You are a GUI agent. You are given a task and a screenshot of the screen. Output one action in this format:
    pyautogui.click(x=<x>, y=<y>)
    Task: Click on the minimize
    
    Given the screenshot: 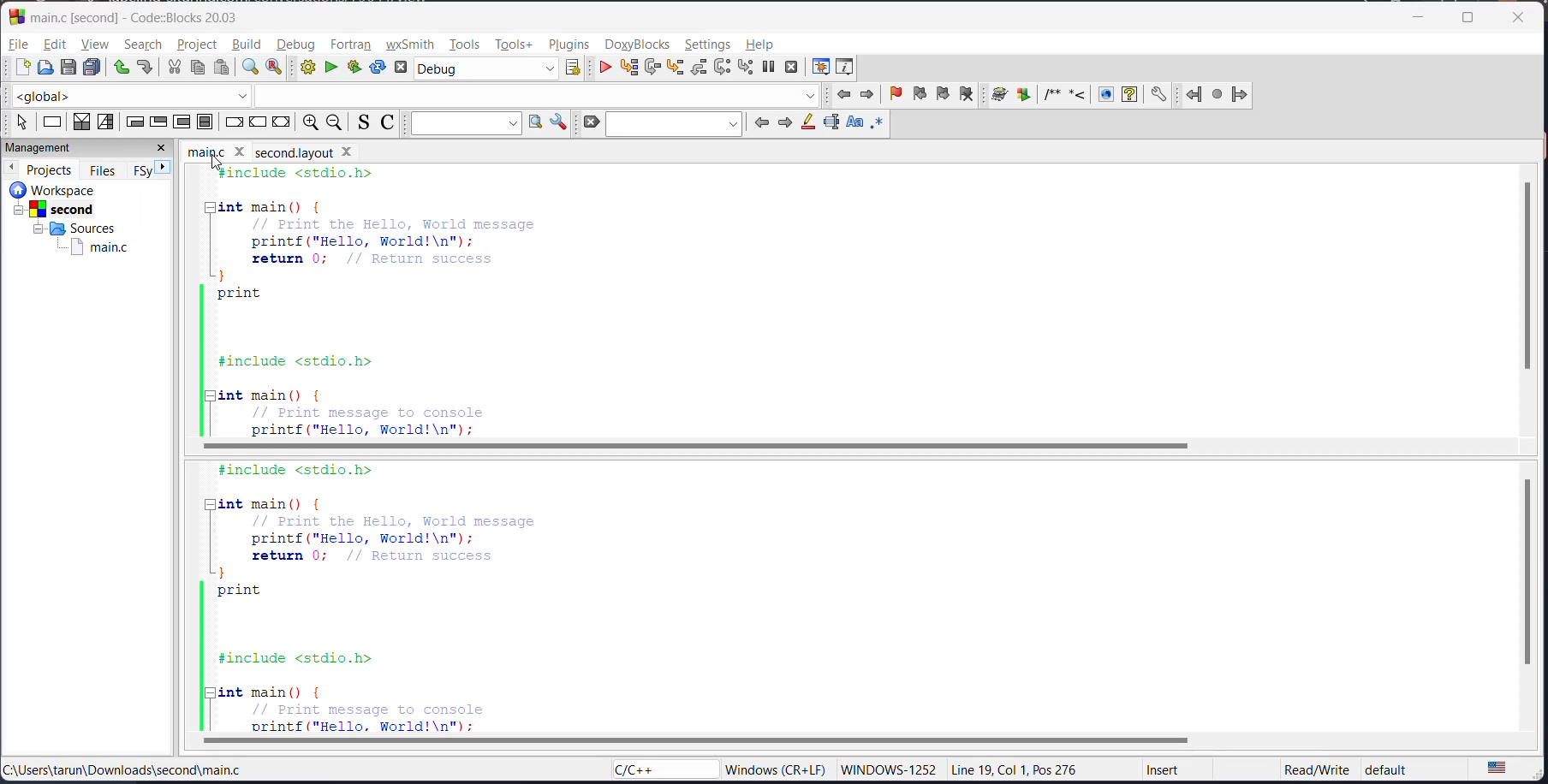 What is the action you would take?
    pyautogui.click(x=1421, y=19)
    